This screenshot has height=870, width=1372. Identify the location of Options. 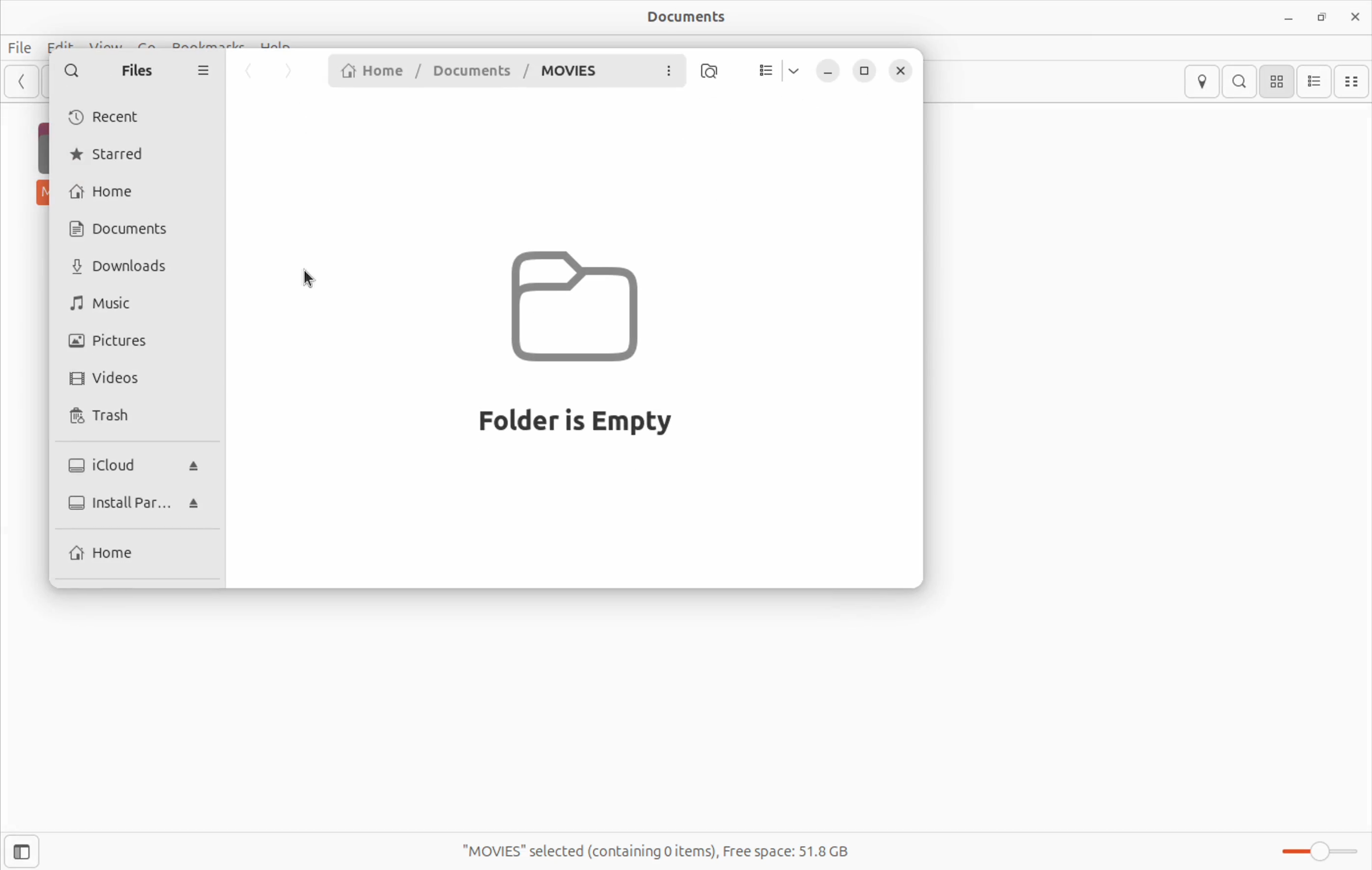
(203, 73).